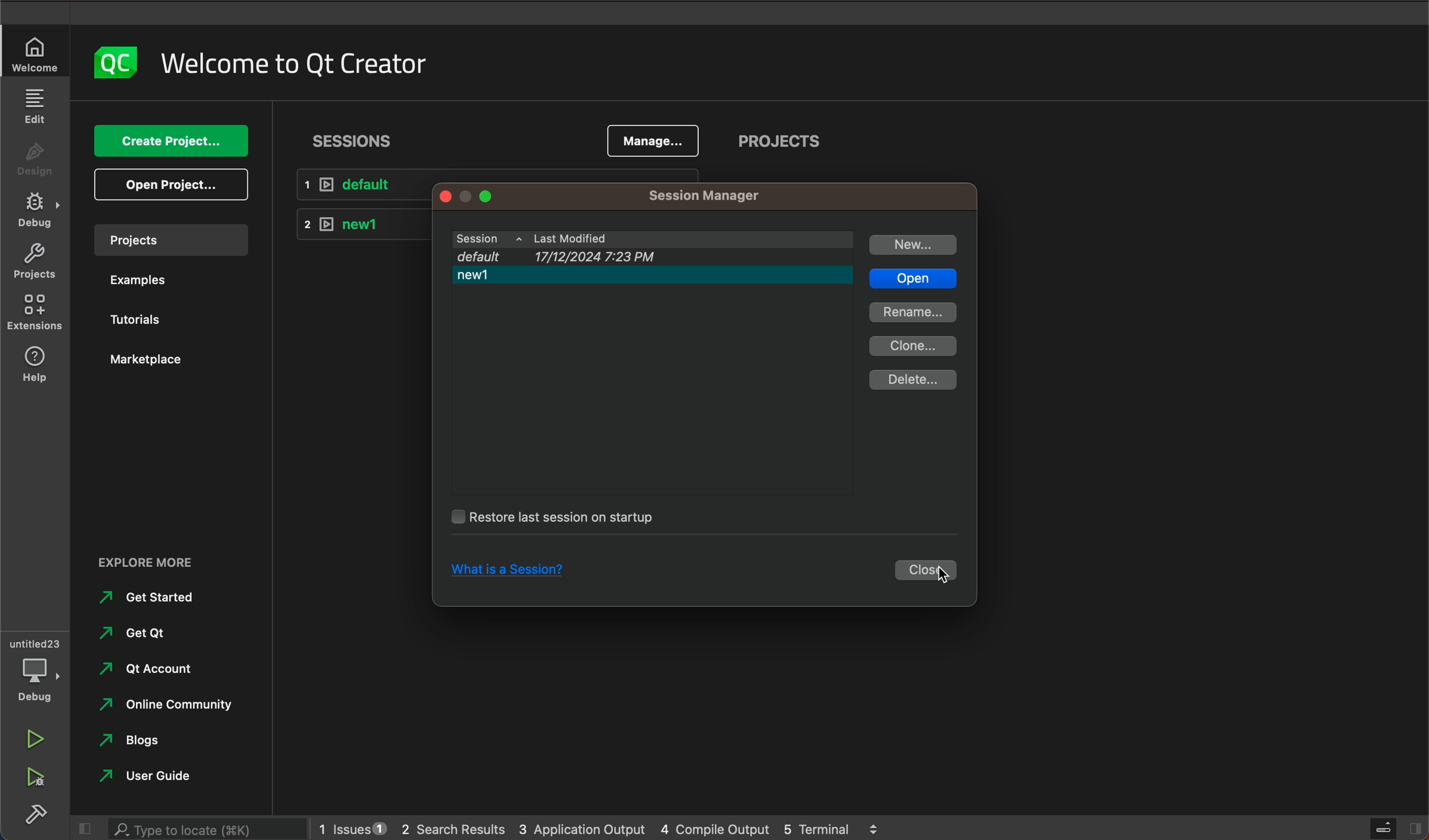 This screenshot has width=1429, height=840. I want to click on run, so click(32, 736).